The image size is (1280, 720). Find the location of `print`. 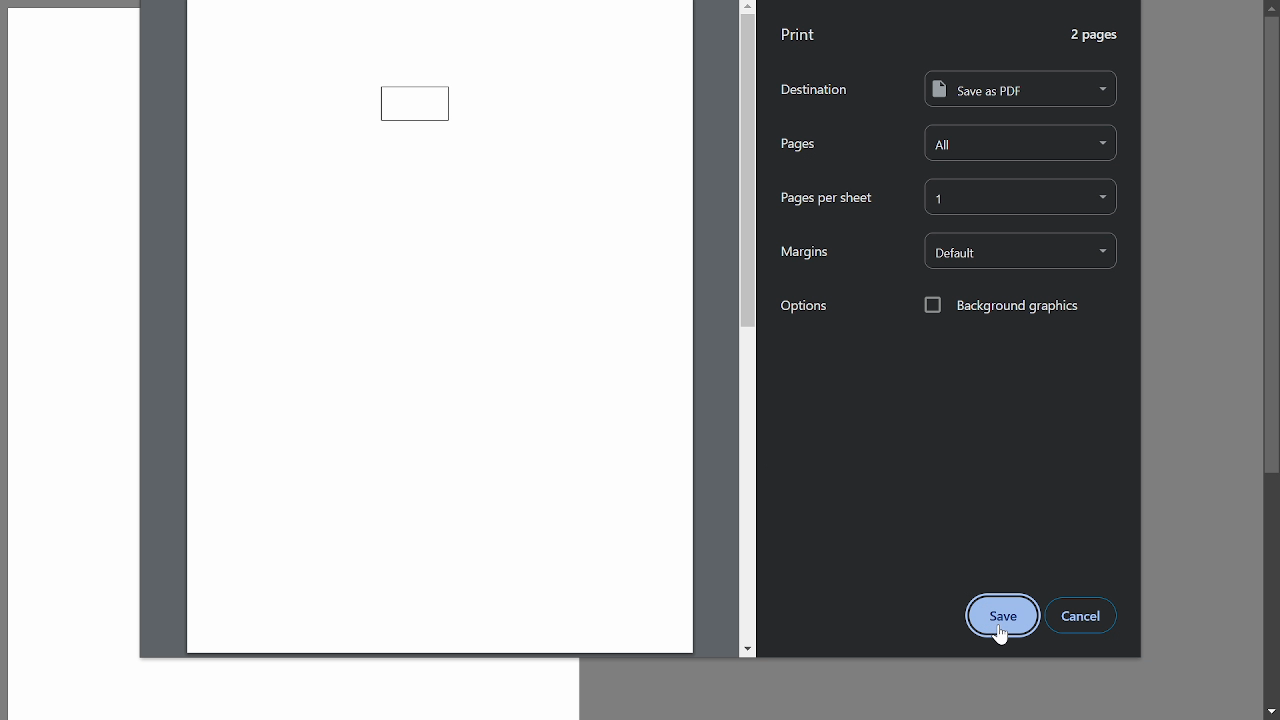

print is located at coordinates (803, 34).